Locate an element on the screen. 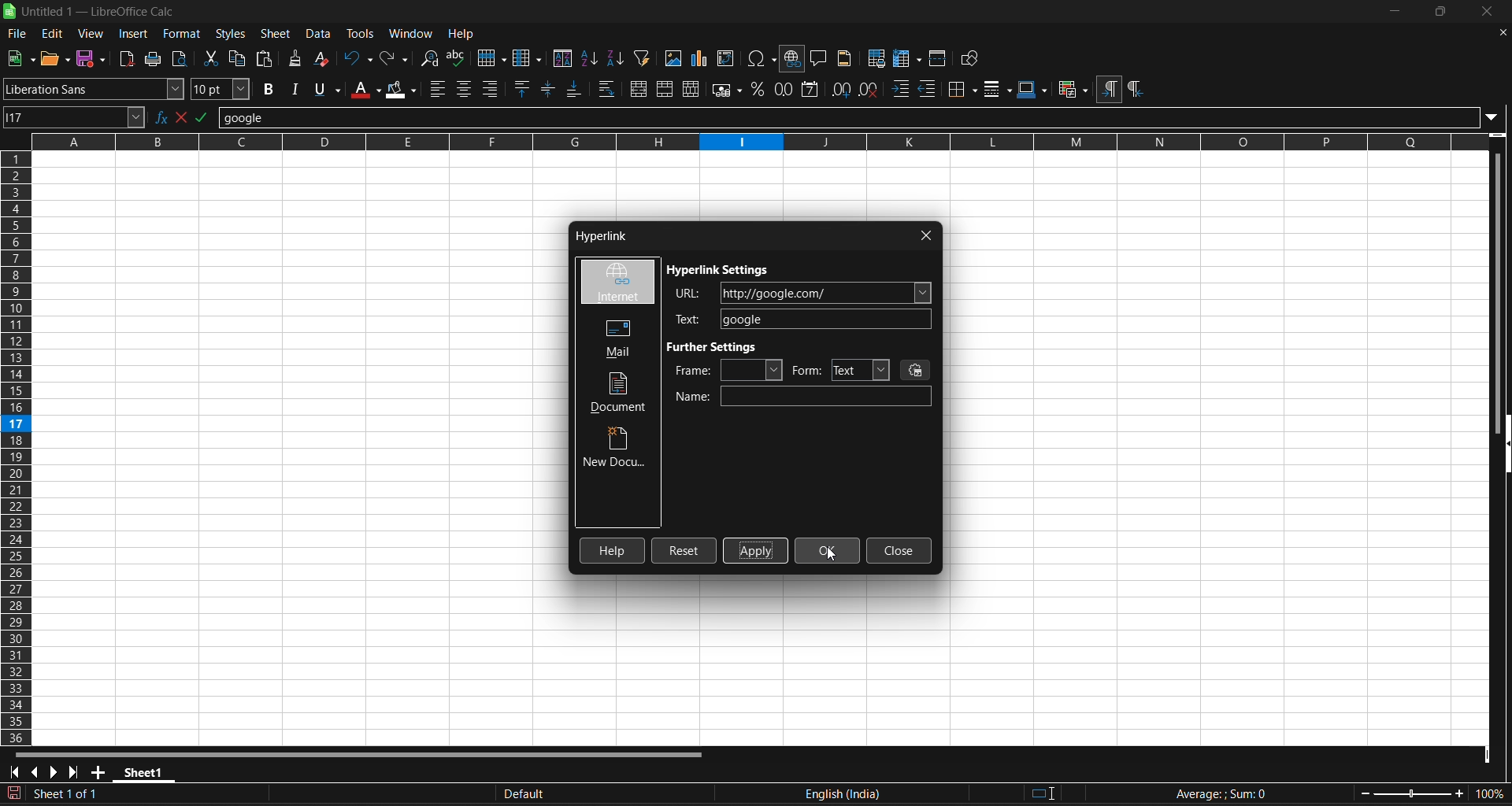 This screenshot has width=1512, height=806. split window is located at coordinates (939, 57).